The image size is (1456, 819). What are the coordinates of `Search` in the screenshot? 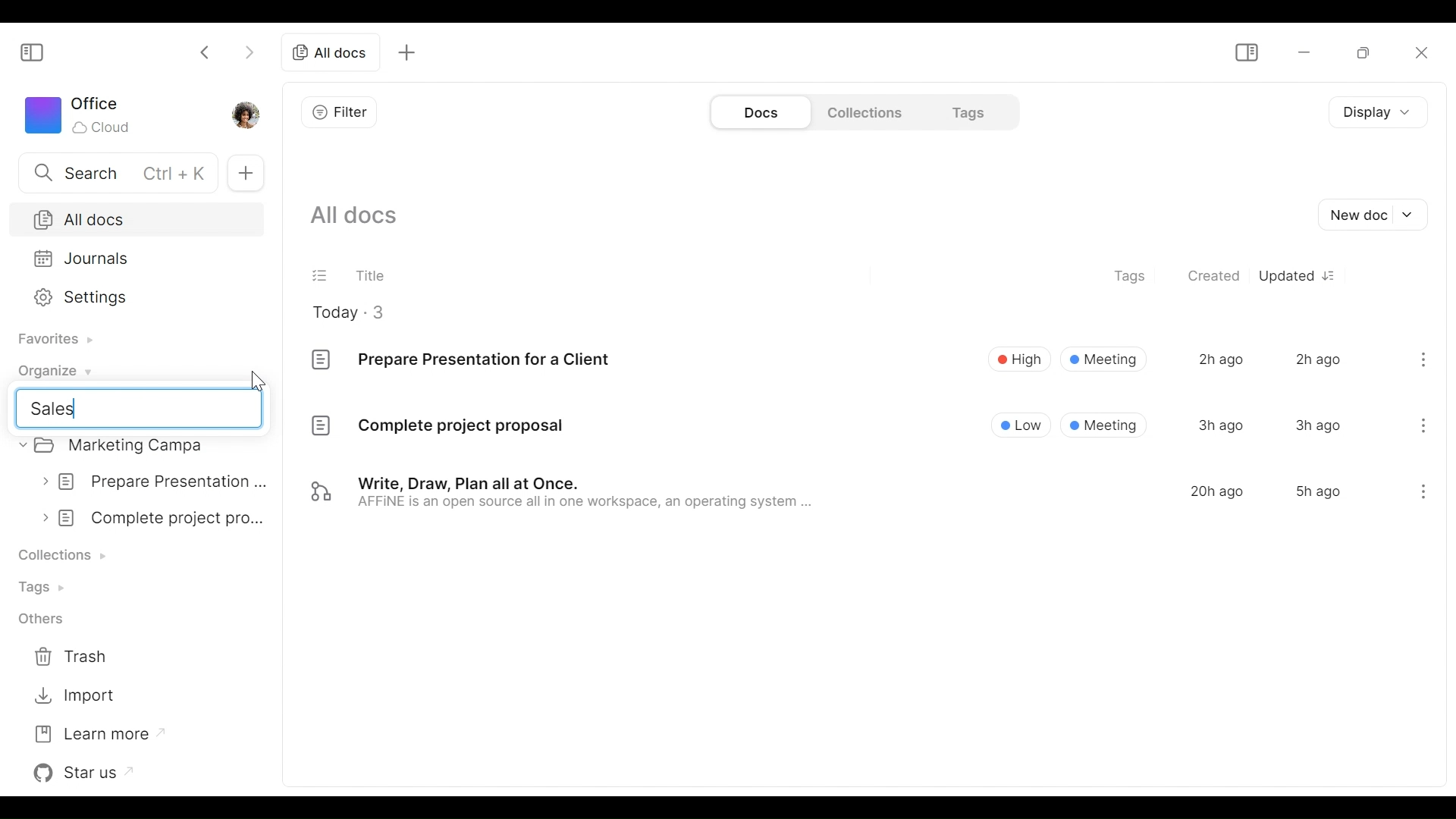 It's located at (115, 171).